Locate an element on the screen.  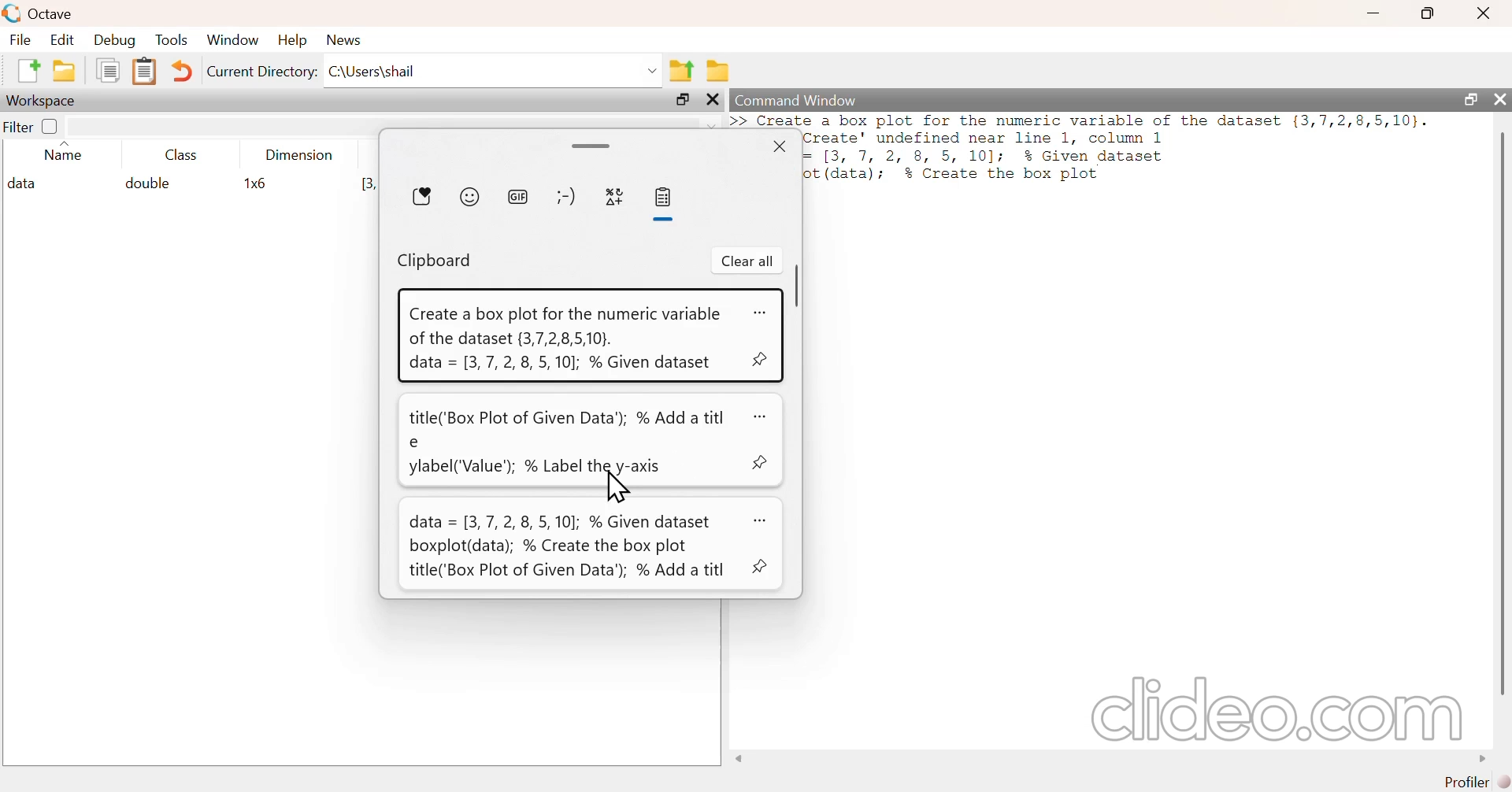
data = [3,7, 2, 8, 5,10]; % Given dataset
boxplot(data); % Create the box plot
title('Box Plot of Given Data’); % Add a titl is located at coordinates (565, 549).